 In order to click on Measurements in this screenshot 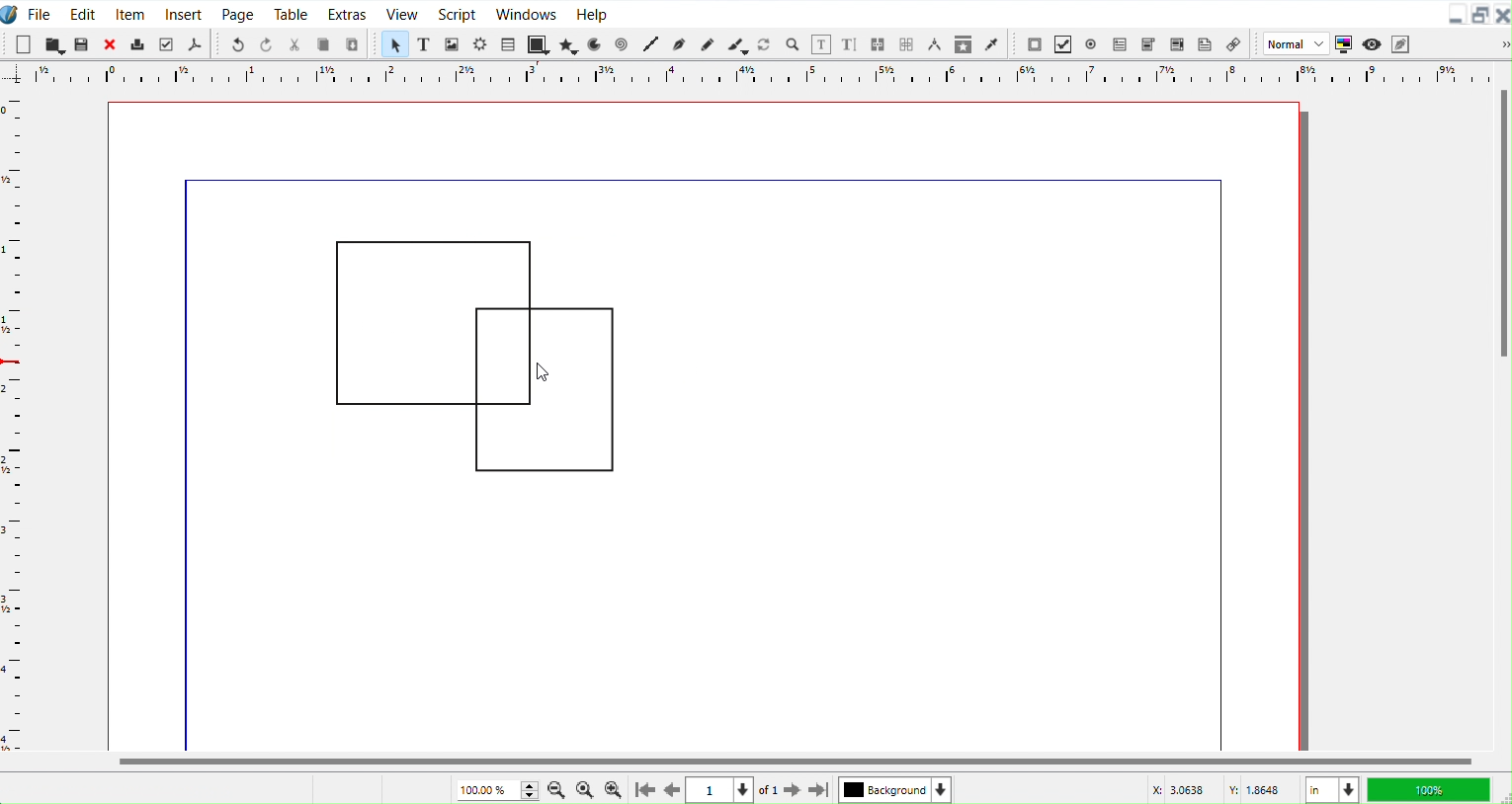, I will do `click(936, 45)`.